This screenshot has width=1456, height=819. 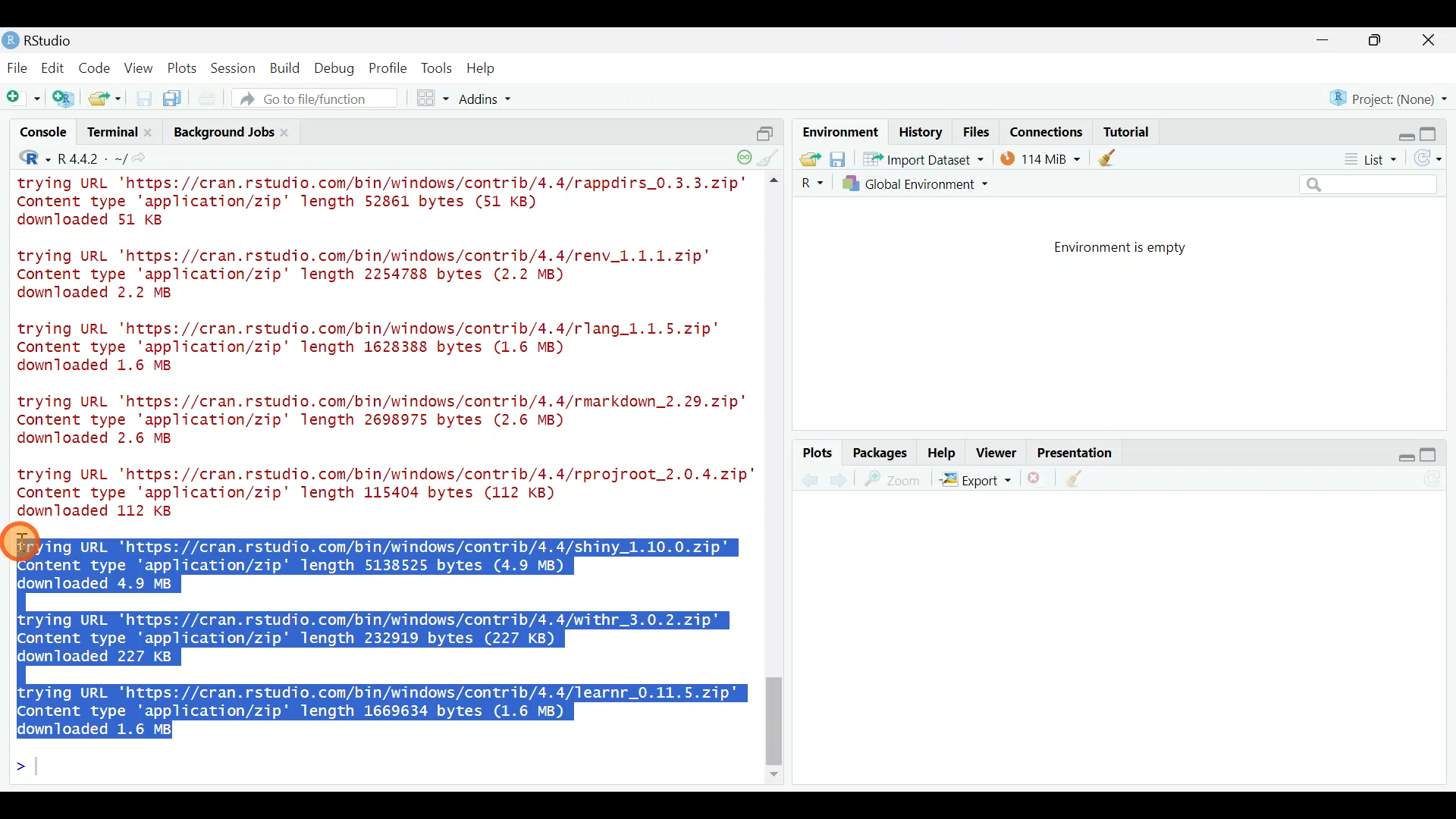 What do you see at coordinates (809, 480) in the screenshot?
I see `next plot` at bounding box center [809, 480].